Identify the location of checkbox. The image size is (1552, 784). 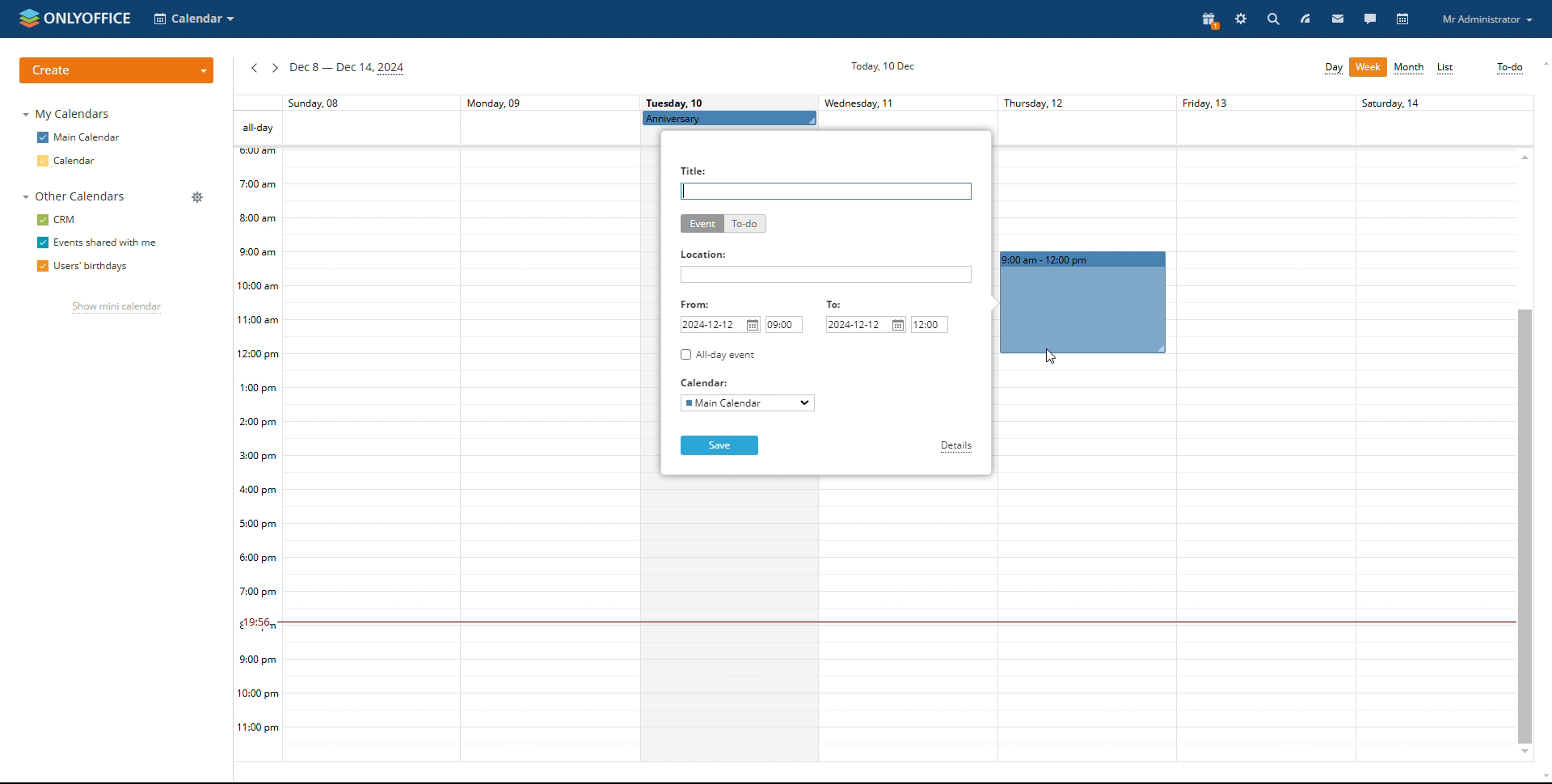
(41, 161).